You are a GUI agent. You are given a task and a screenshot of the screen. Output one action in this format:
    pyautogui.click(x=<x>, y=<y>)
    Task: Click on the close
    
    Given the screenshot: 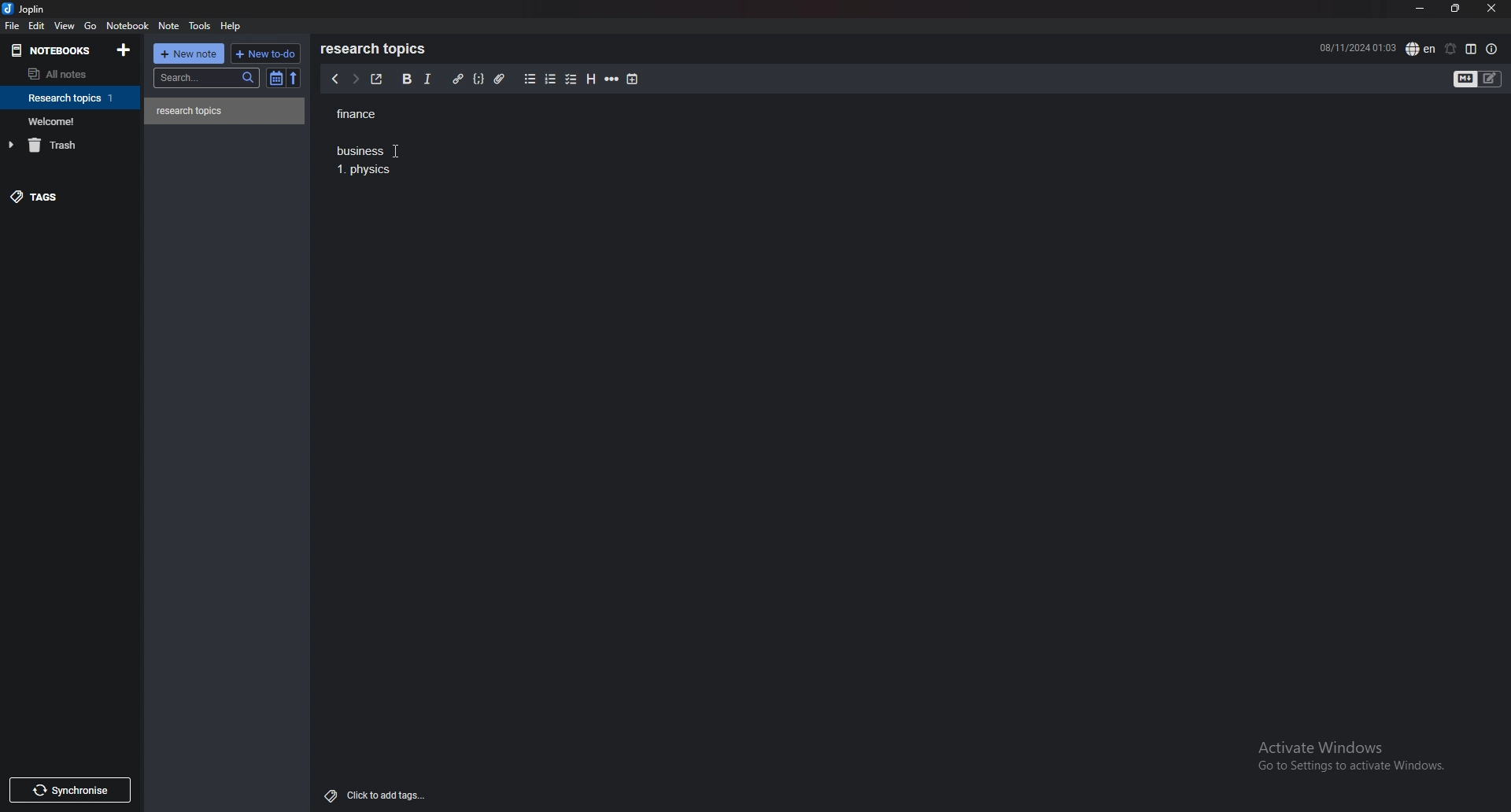 What is the action you would take?
    pyautogui.click(x=1491, y=9)
    